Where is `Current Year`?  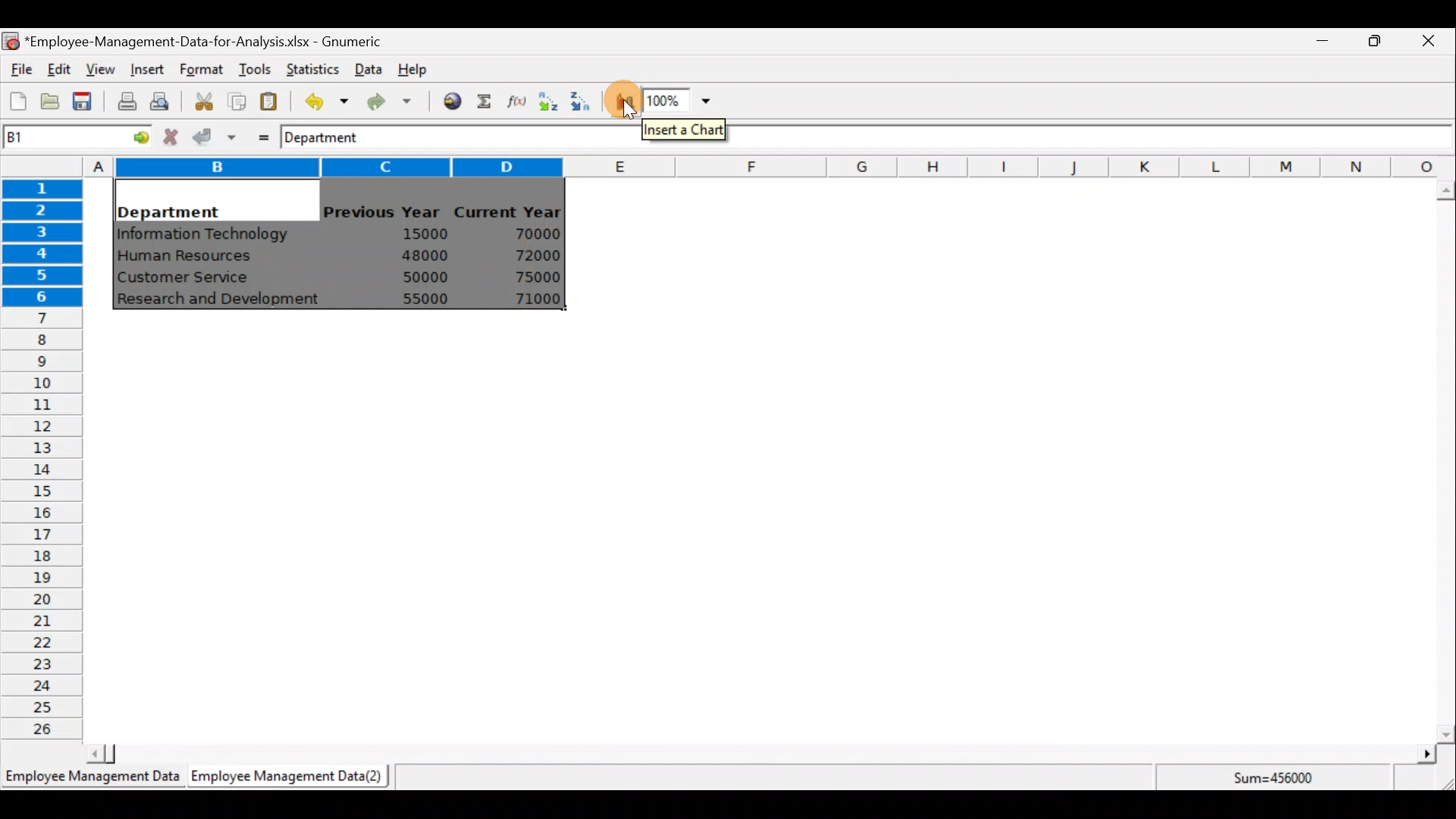
Current Year is located at coordinates (510, 210).